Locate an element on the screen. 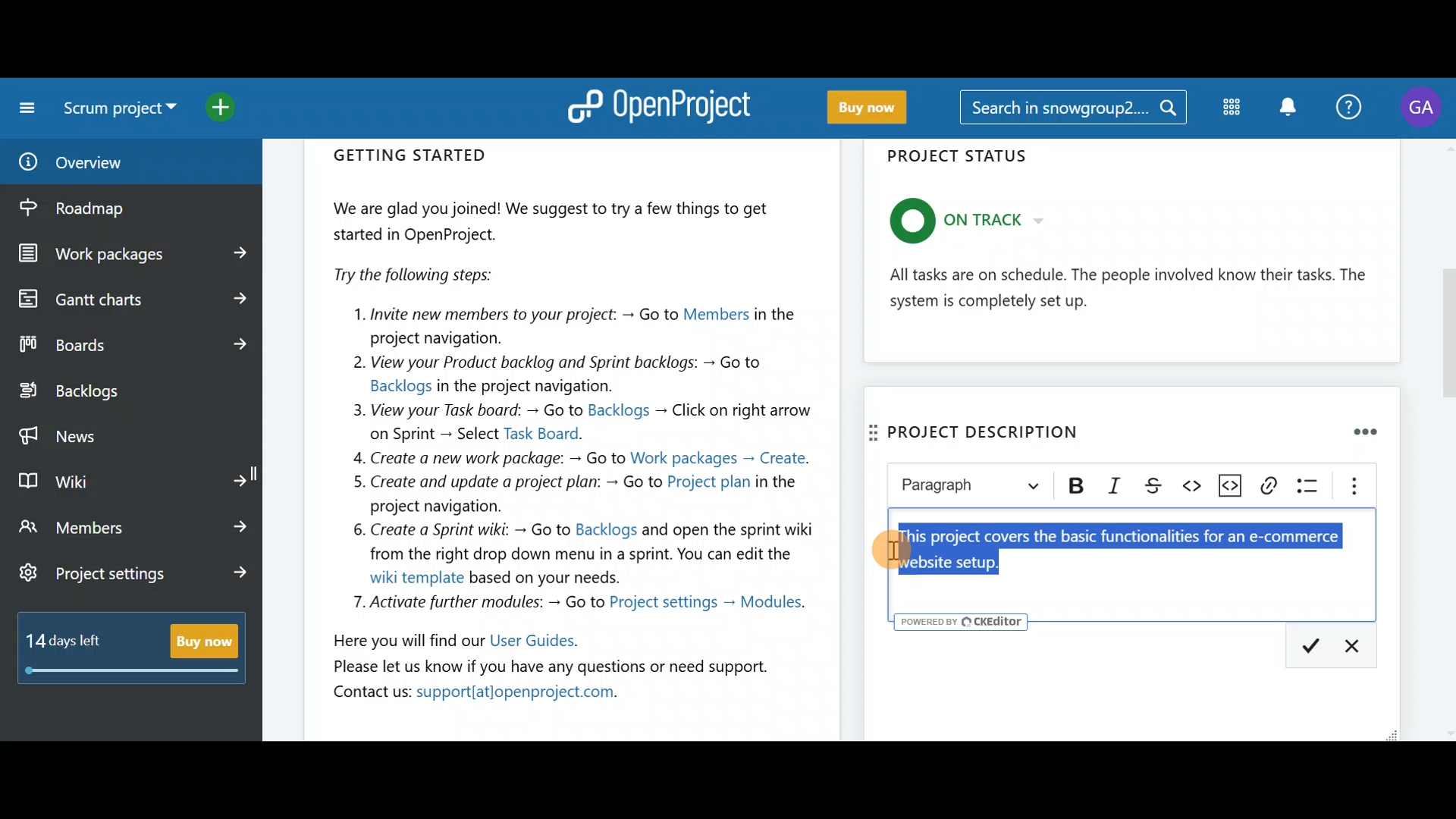 Image resolution: width=1456 pixels, height=819 pixels. Project settings is located at coordinates (135, 576).